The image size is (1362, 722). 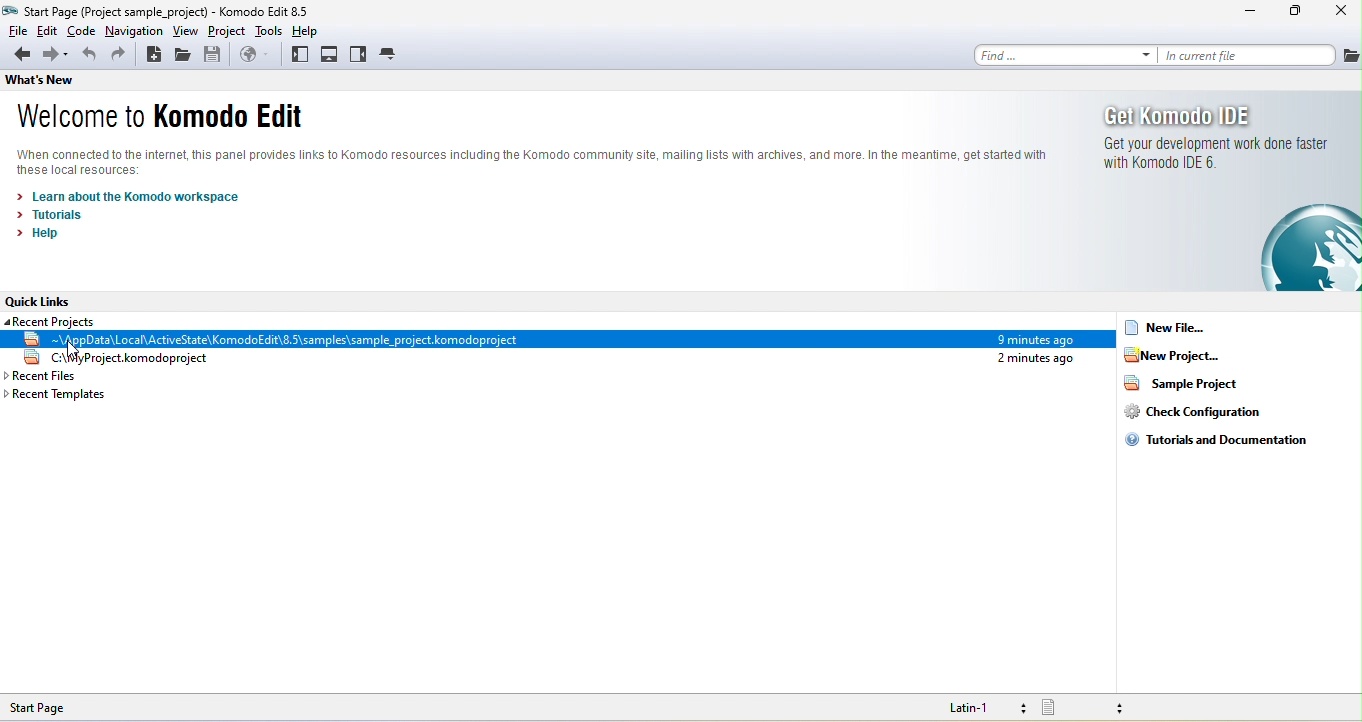 What do you see at coordinates (88, 55) in the screenshot?
I see `undo` at bounding box center [88, 55].